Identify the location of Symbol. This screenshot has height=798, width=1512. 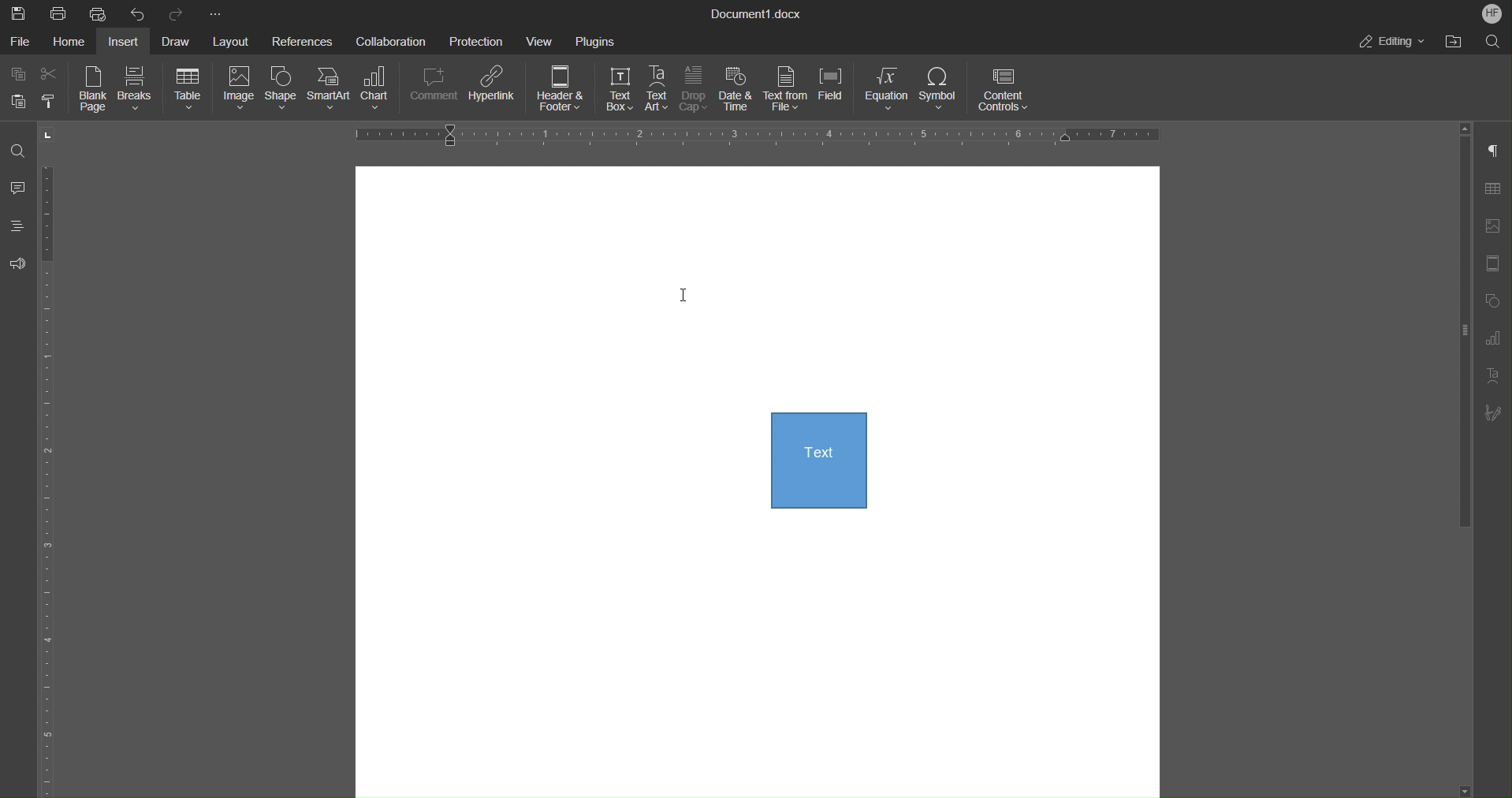
(941, 91).